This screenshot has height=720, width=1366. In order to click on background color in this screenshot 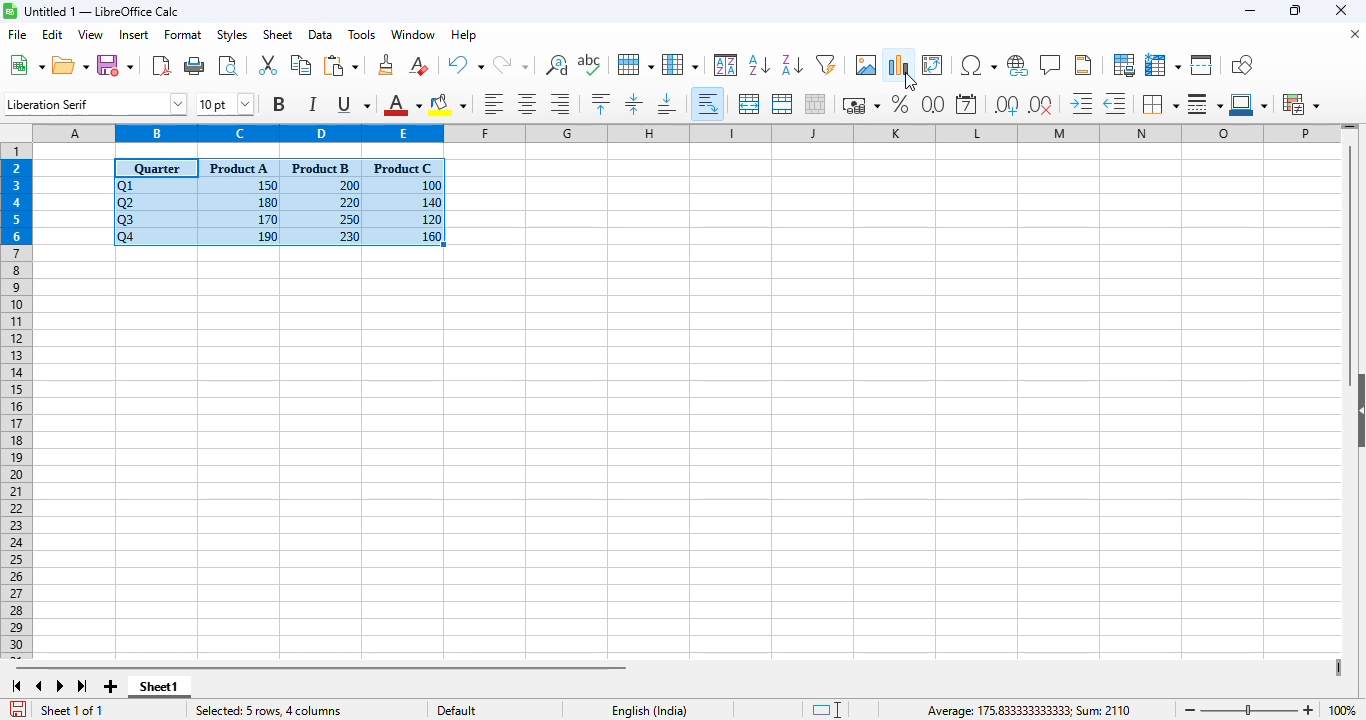, I will do `click(448, 104)`.